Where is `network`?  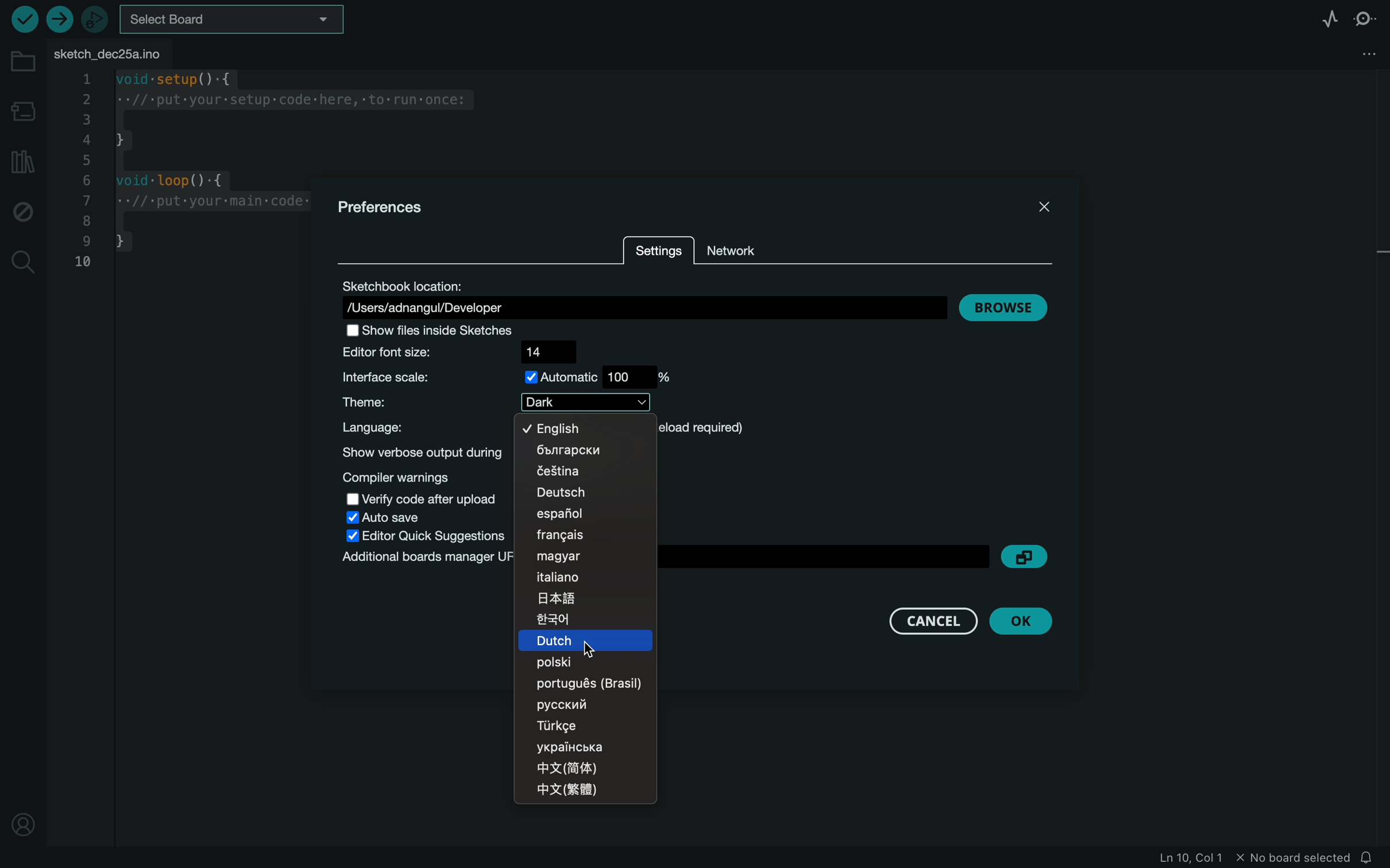 network is located at coordinates (752, 242).